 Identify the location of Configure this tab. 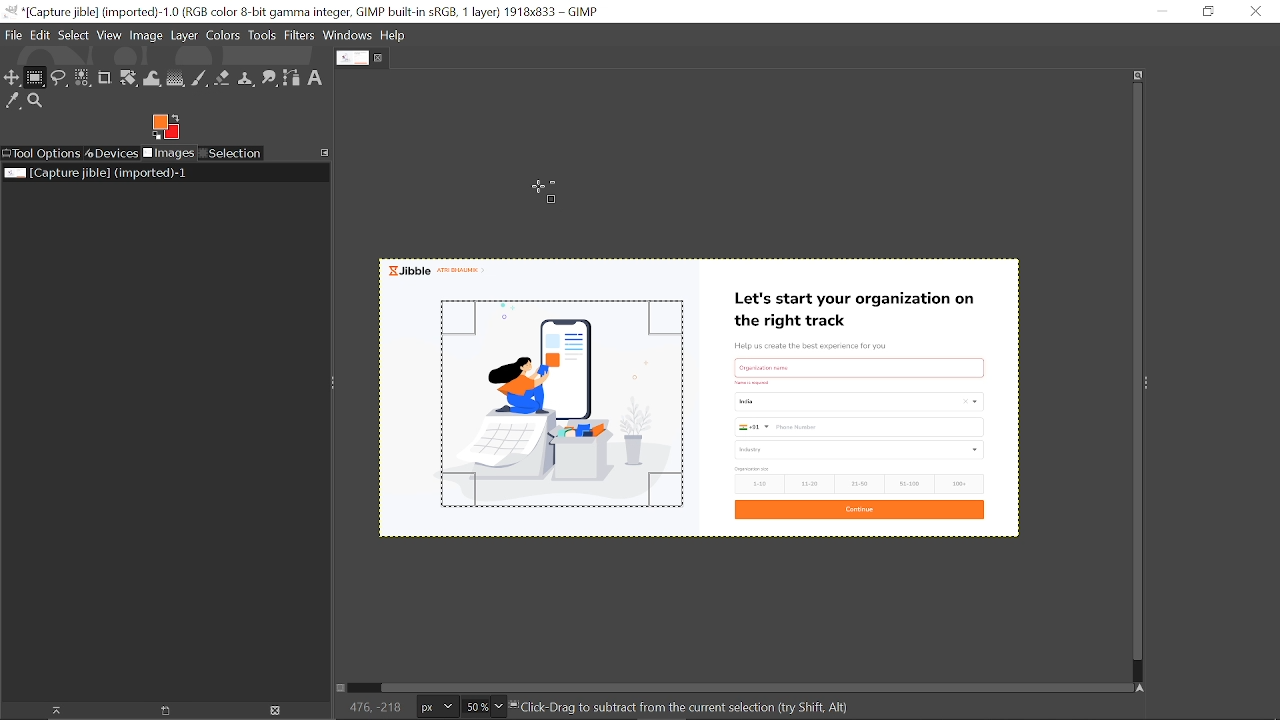
(326, 152).